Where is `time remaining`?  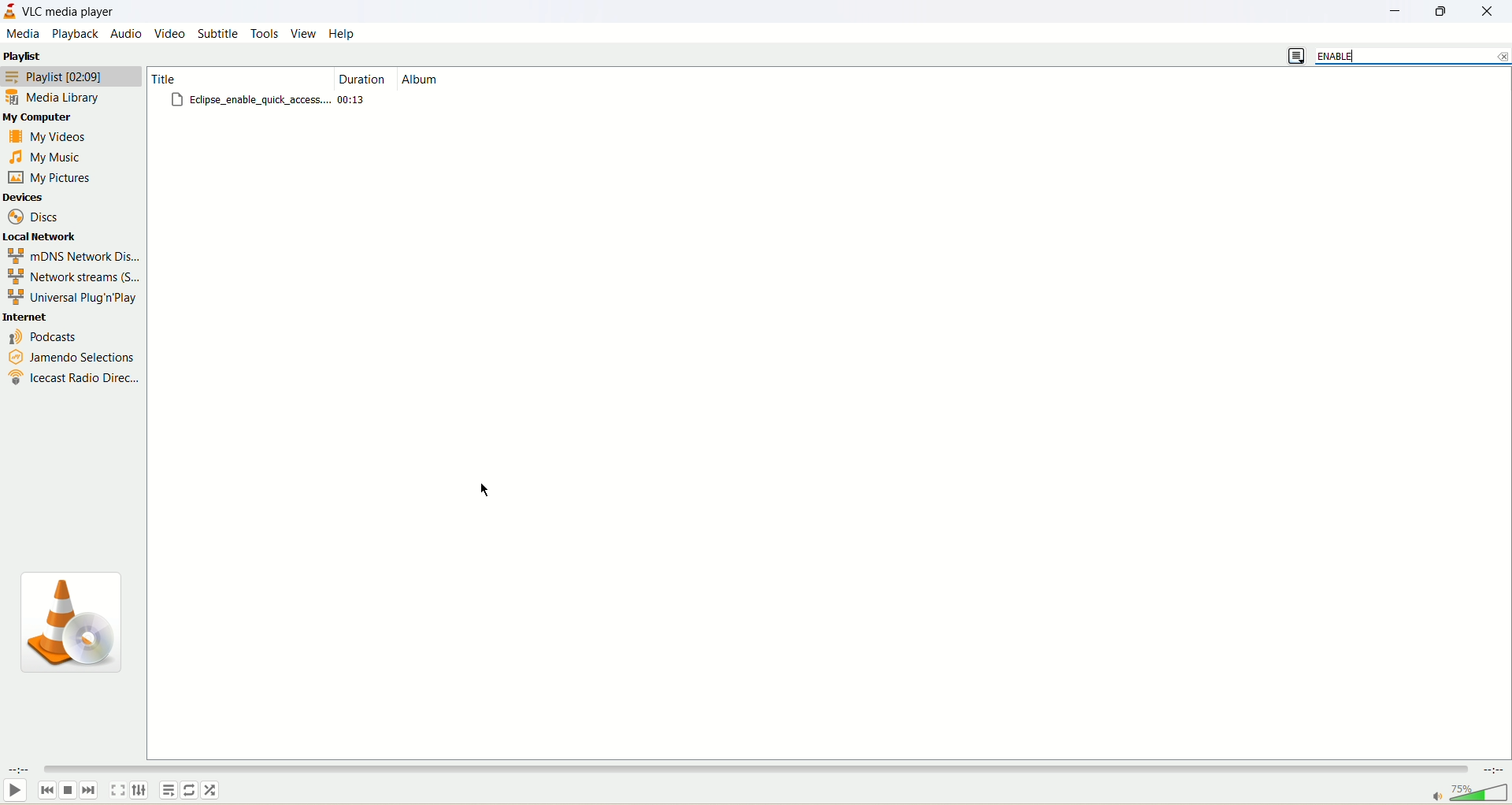
time remaining is located at coordinates (1496, 770).